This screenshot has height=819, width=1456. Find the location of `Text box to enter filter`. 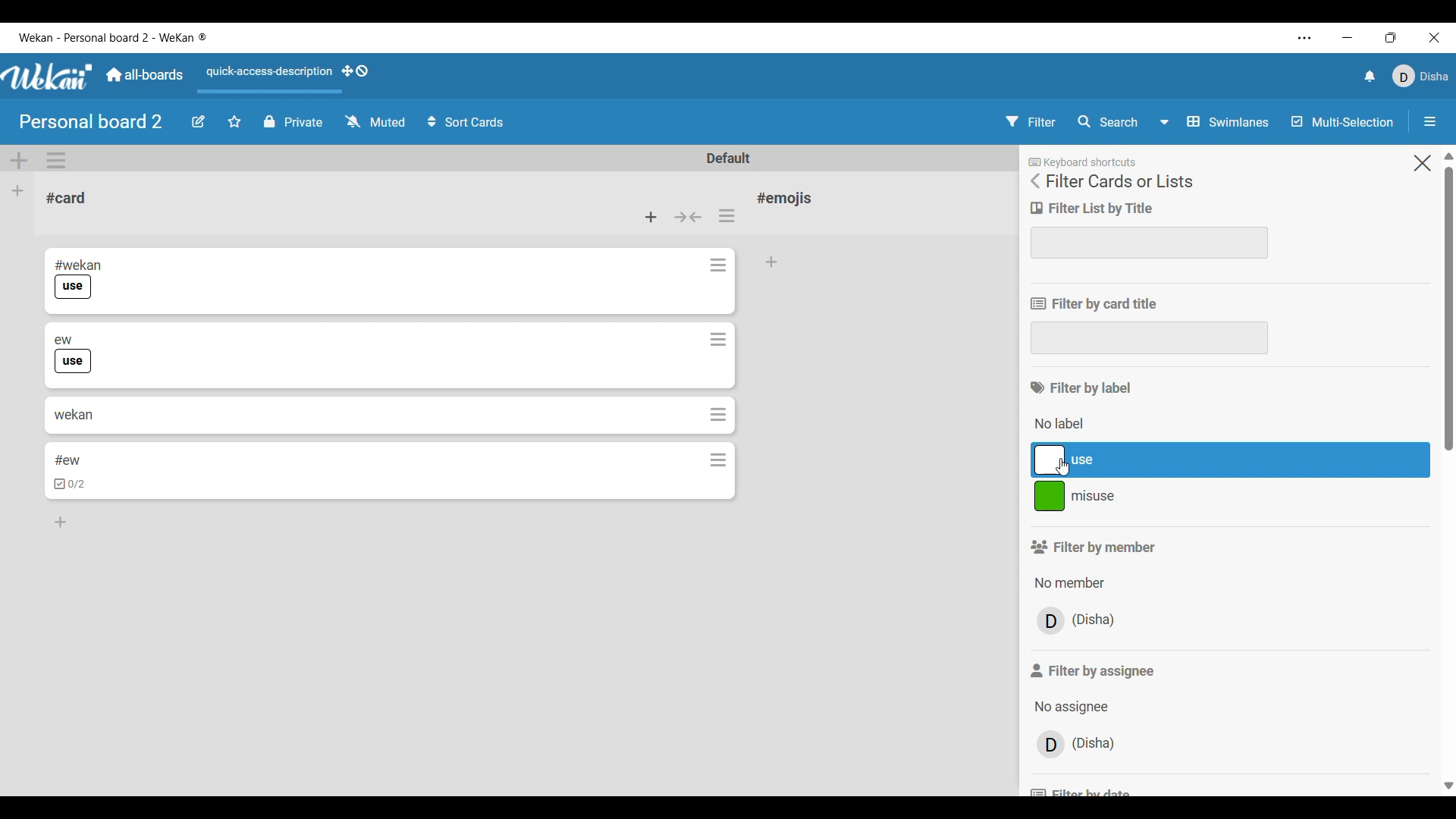

Text box to enter filter is located at coordinates (1150, 243).